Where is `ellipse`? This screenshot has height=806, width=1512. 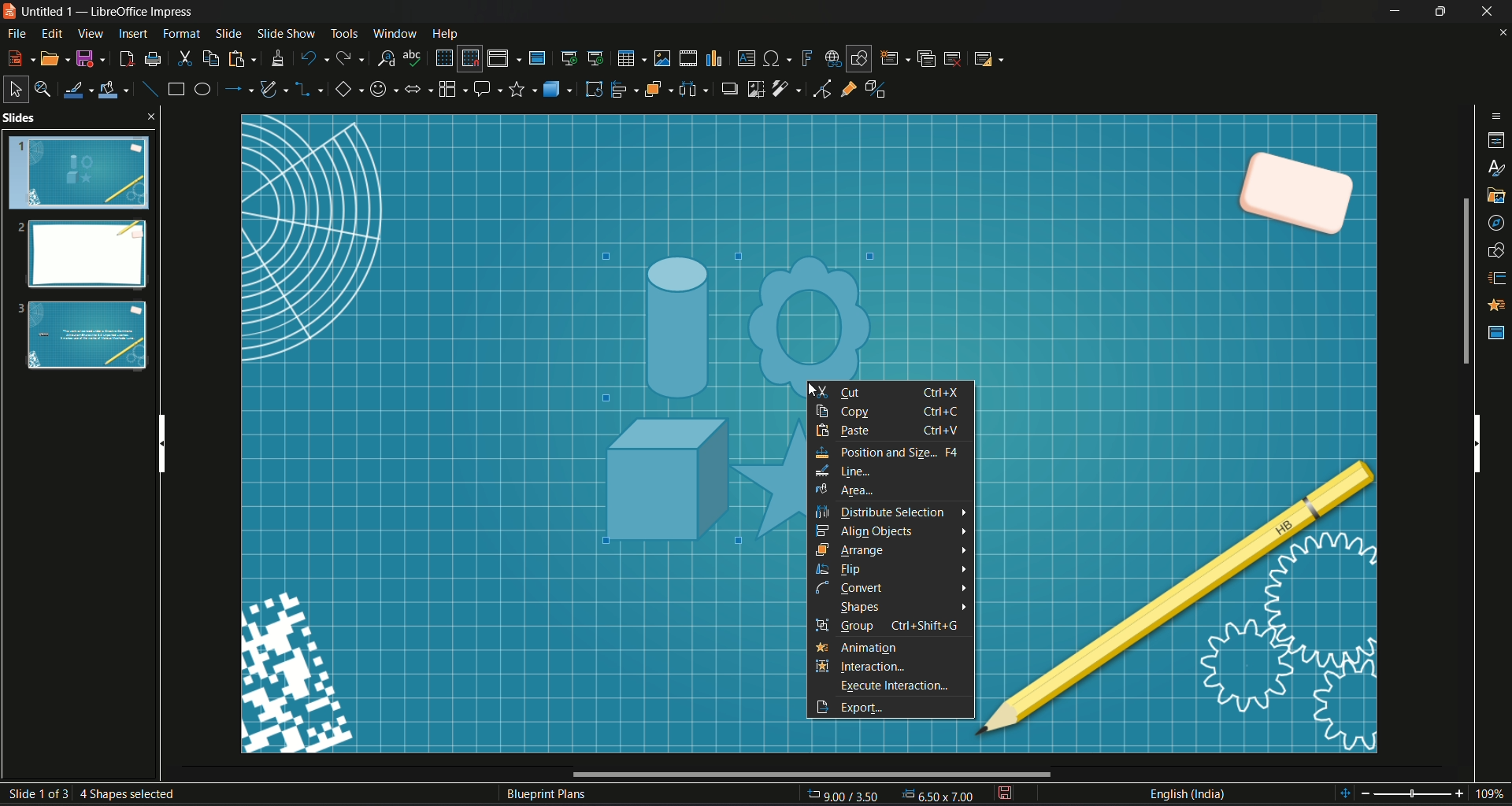
ellipse is located at coordinates (201, 88).